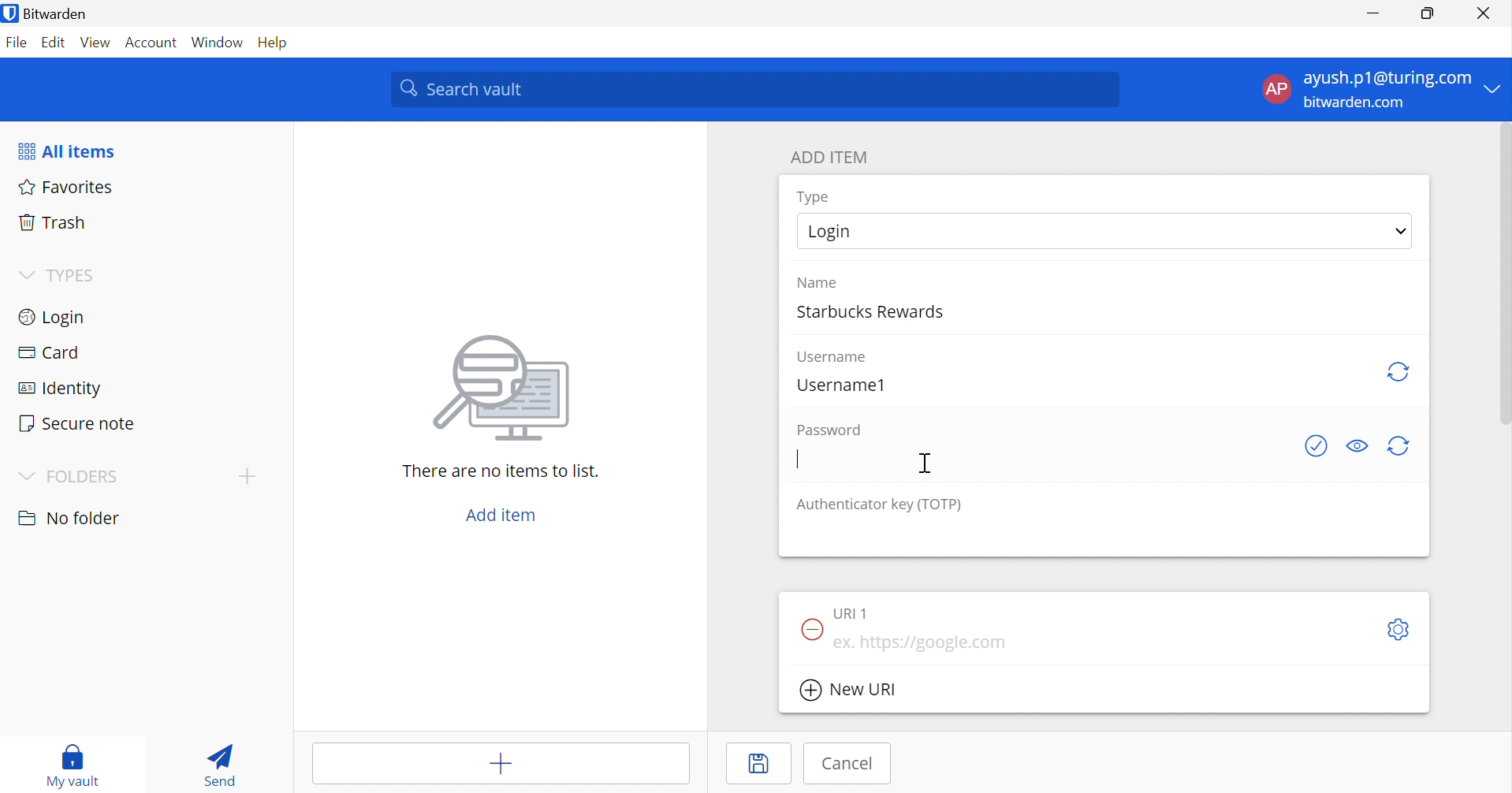 Image resolution: width=1512 pixels, height=793 pixels. Describe the element at coordinates (28, 477) in the screenshot. I see `Drop Down` at that location.